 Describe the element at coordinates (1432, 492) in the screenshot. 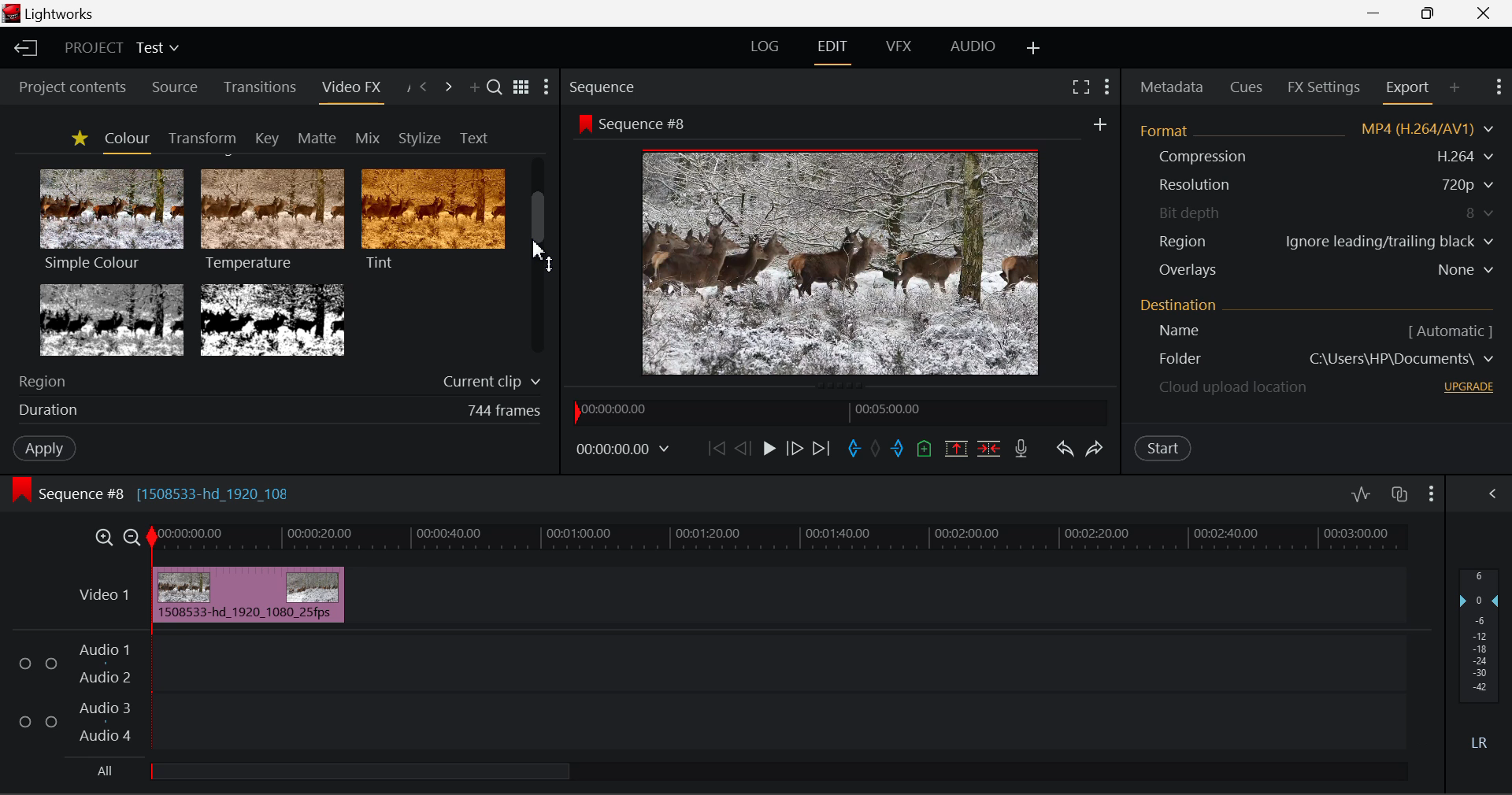

I see `Show Settings` at that location.